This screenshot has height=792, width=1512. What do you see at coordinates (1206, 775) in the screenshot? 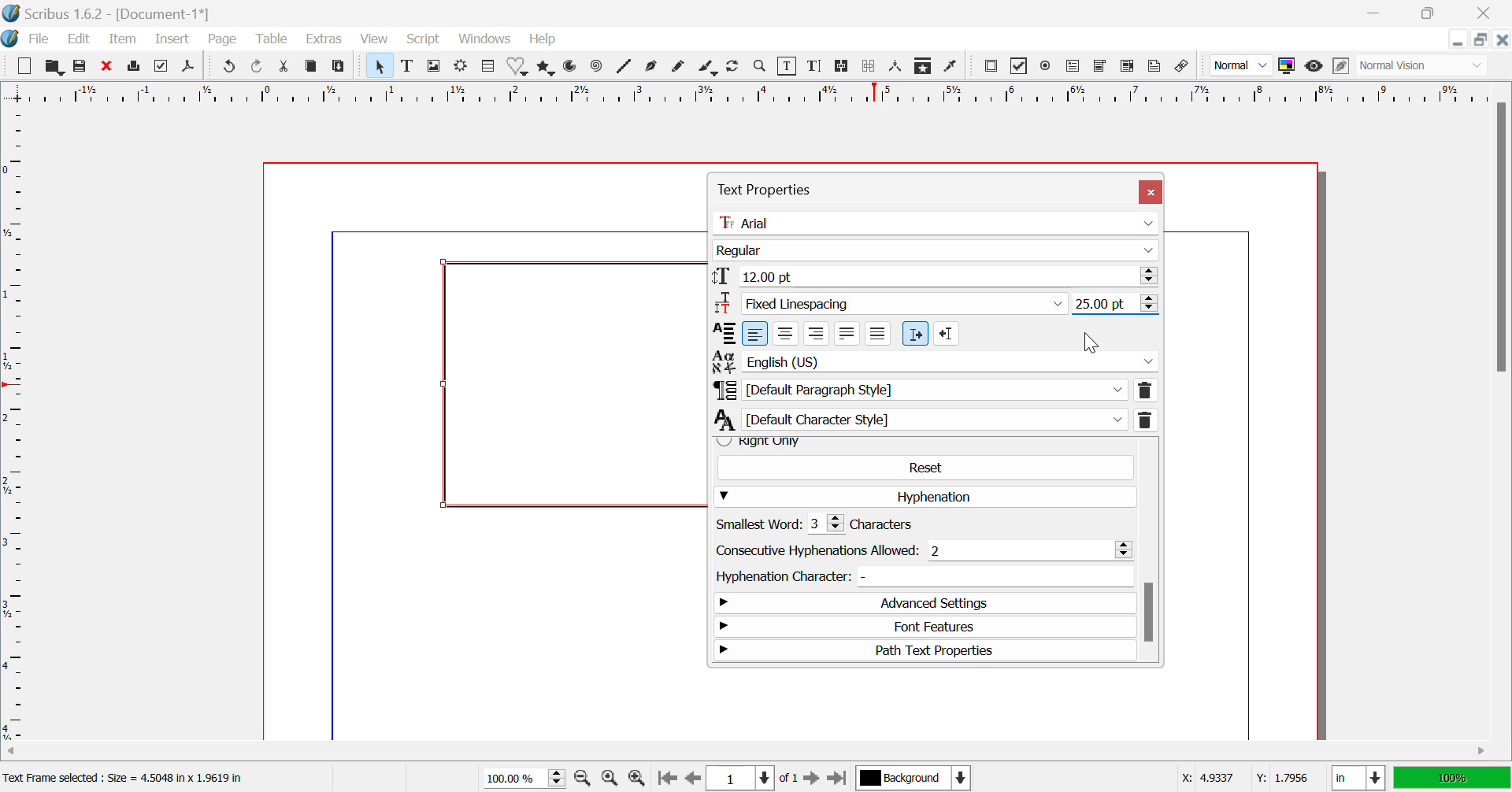
I see `X: 4.9337` at bounding box center [1206, 775].